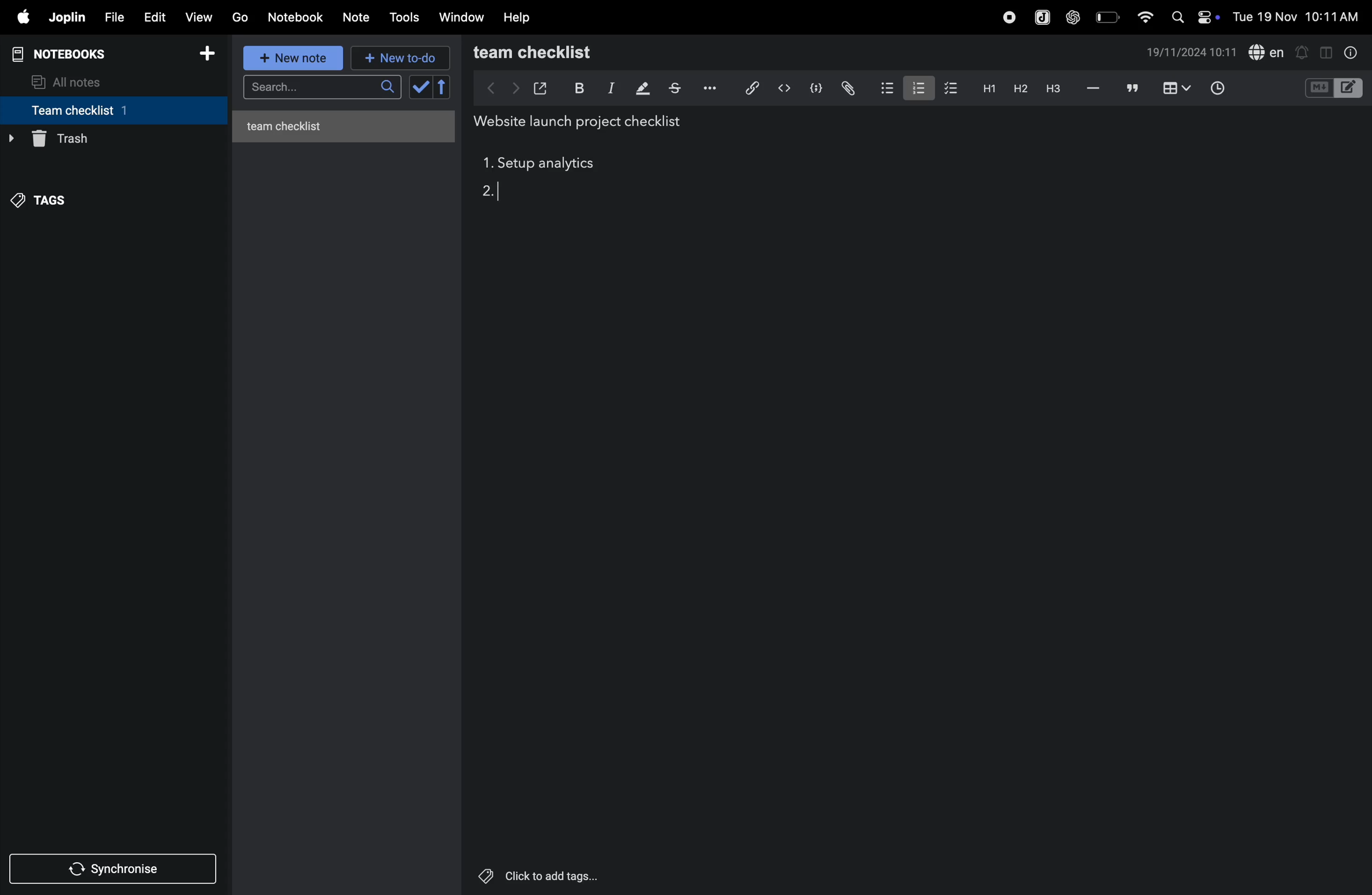 The width and height of the screenshot is (1372, 895). Describe the element at coordinates (240, 18) in the screenshot. I see `go` at that location.